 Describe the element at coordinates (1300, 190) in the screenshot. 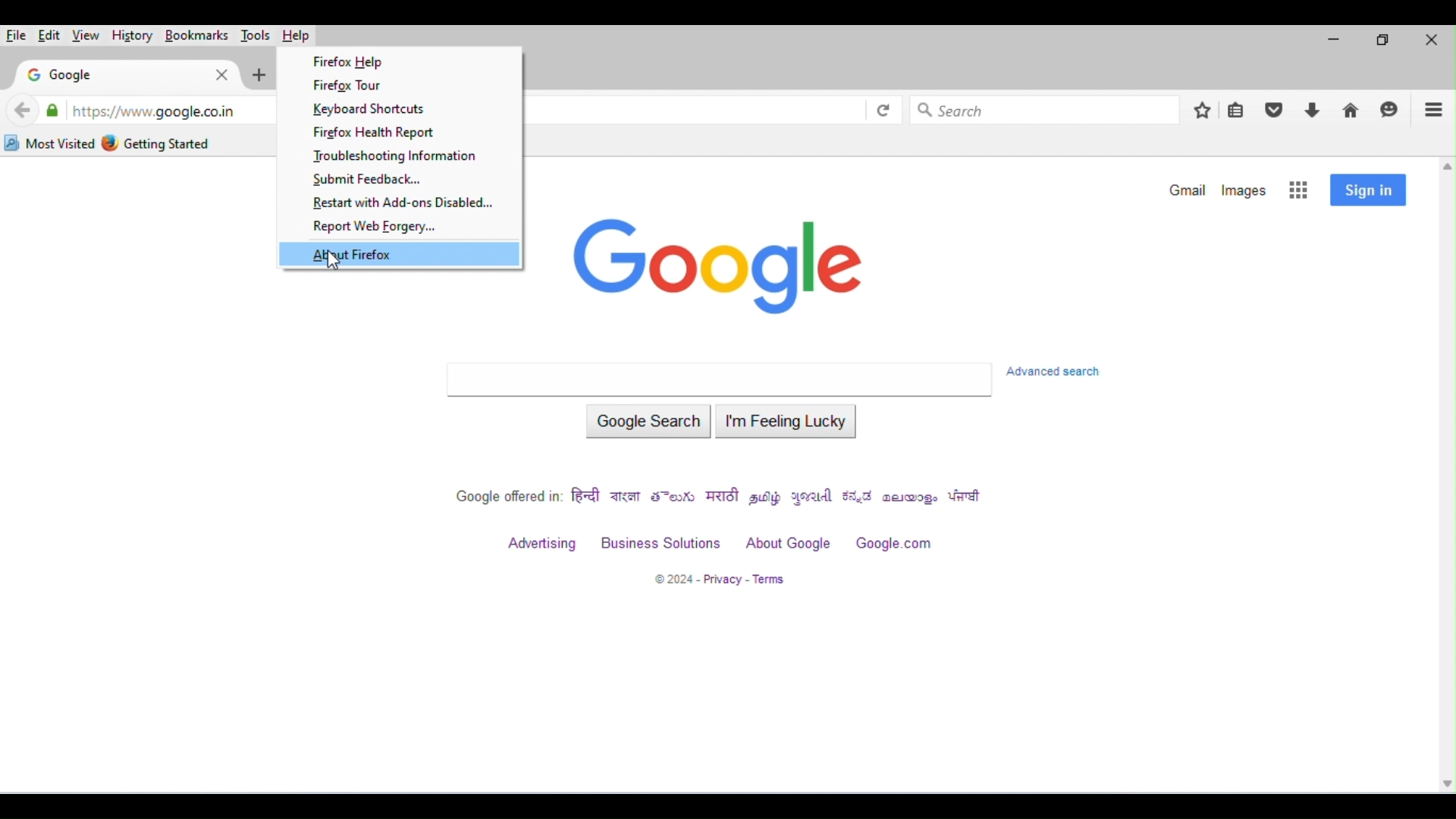

I see `google apps` at that location.